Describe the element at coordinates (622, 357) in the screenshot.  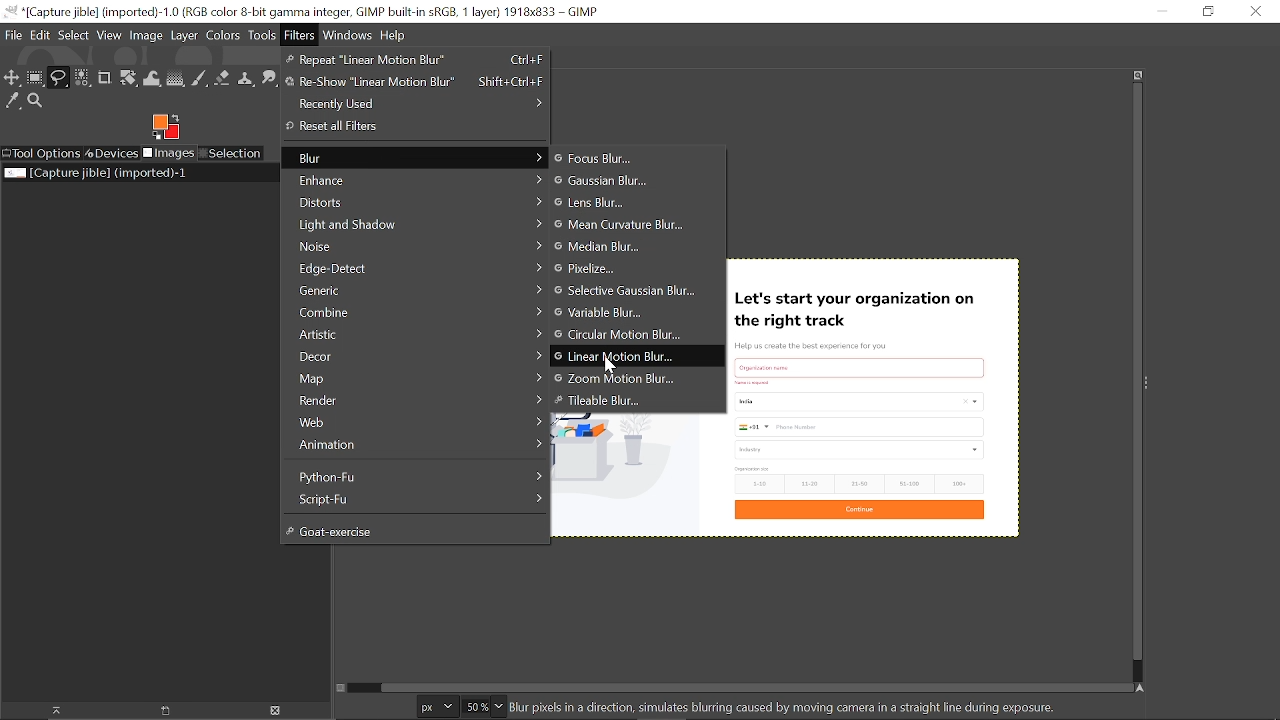
I see `Linear motion blur` at that location.